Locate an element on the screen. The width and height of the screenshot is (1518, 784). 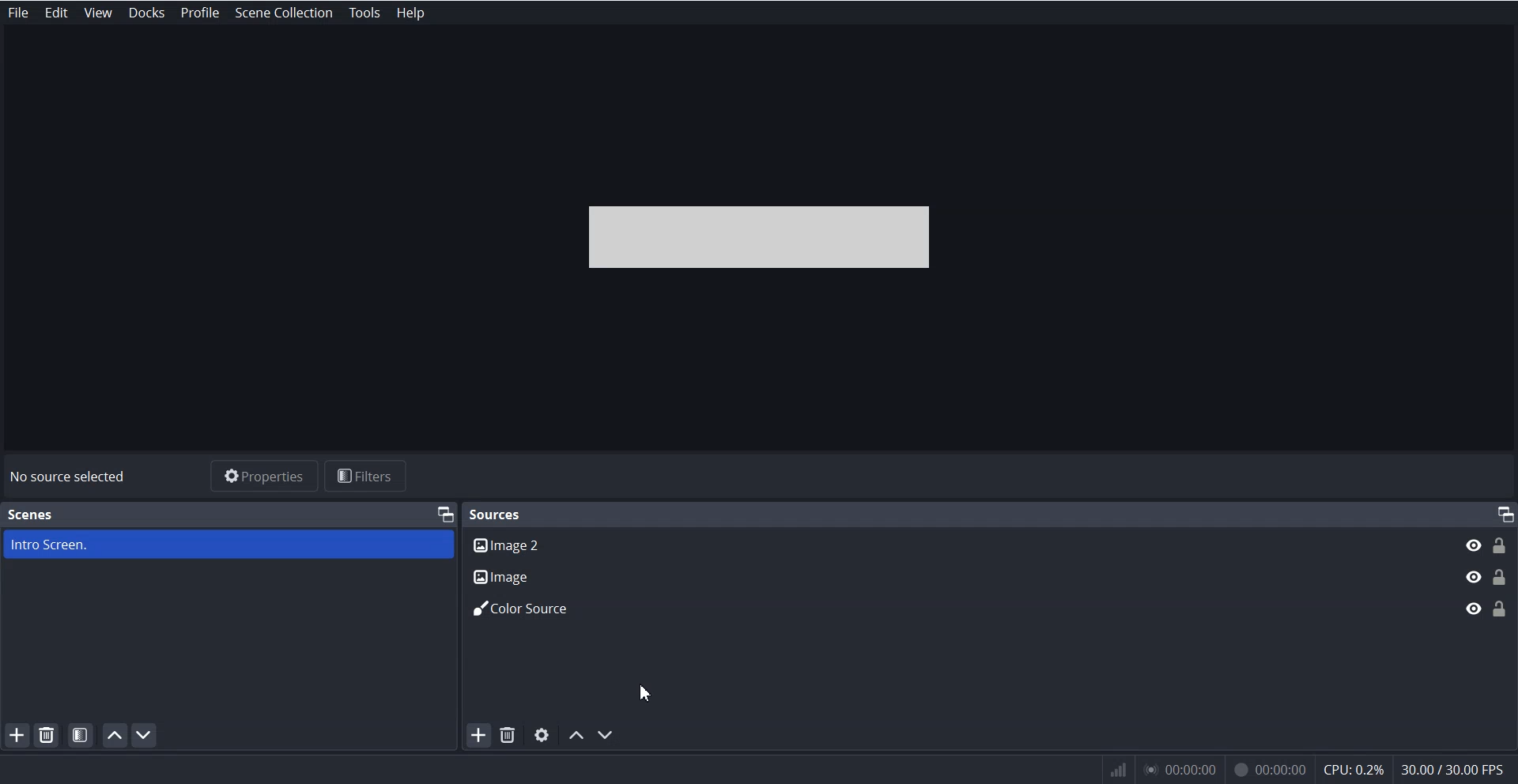
cpu is located at coordinates (1353, 767).